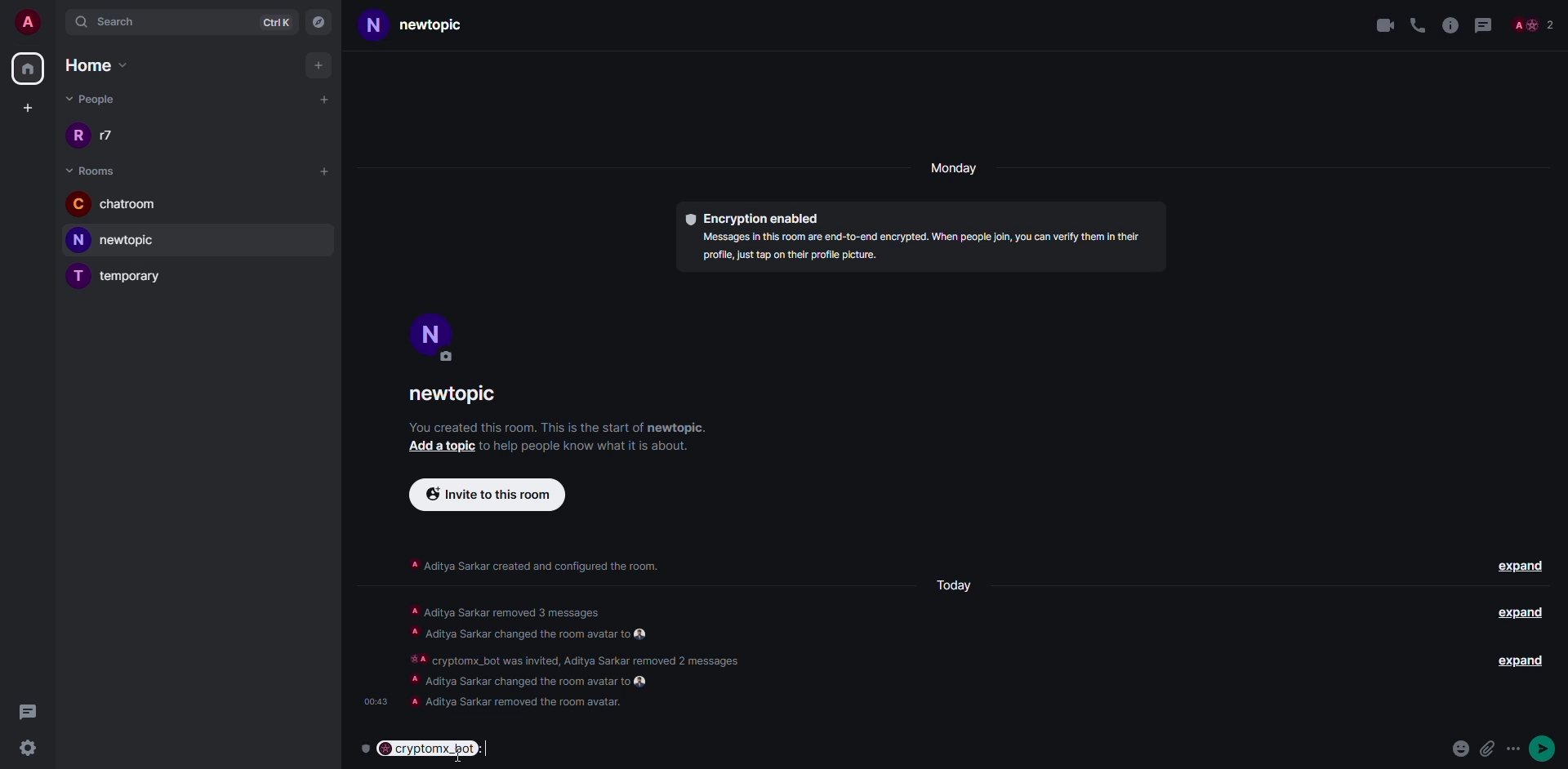 The width and height of the screenshot is (1568, 769). Describe the element at coordinates (1500, 749) in the screenshot. I see `attach` at that location.